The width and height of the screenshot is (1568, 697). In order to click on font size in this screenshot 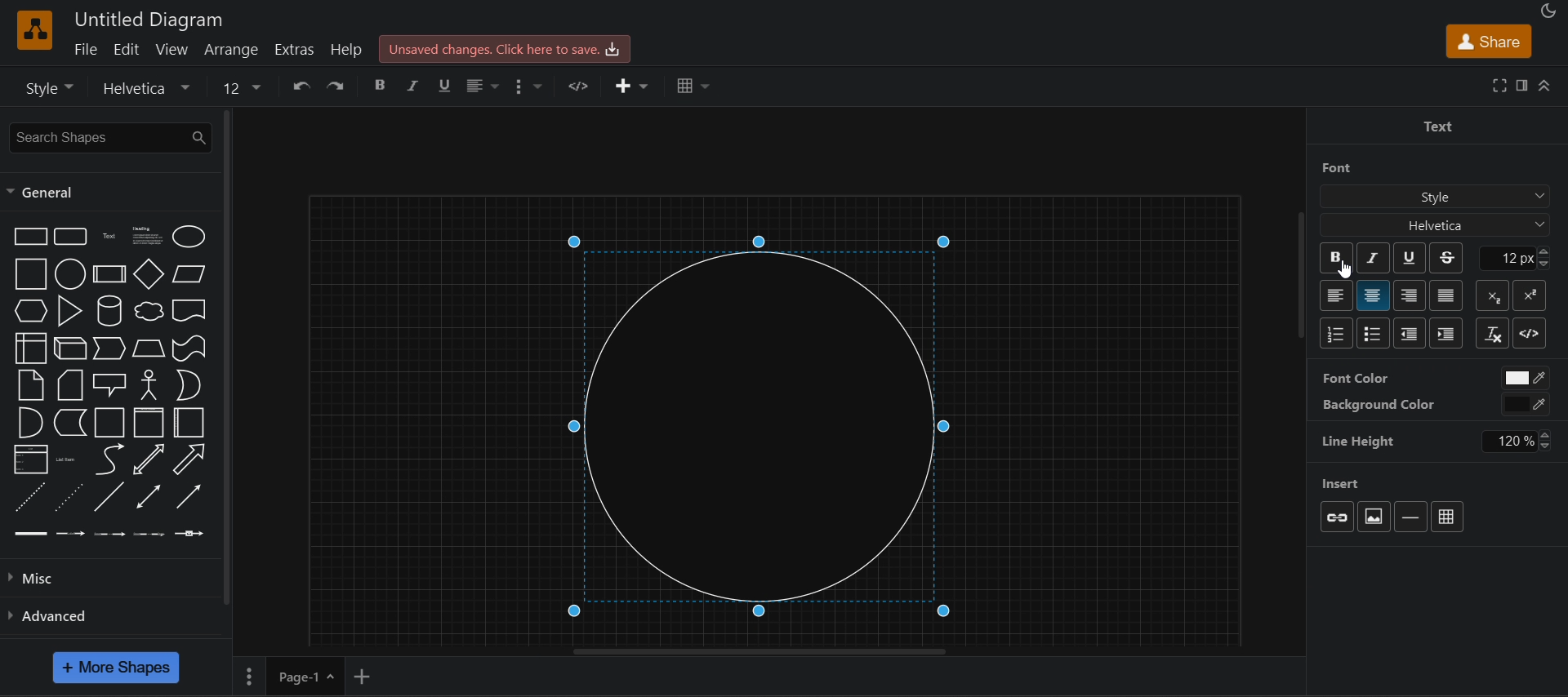, I will do `click(1527, 257)`.